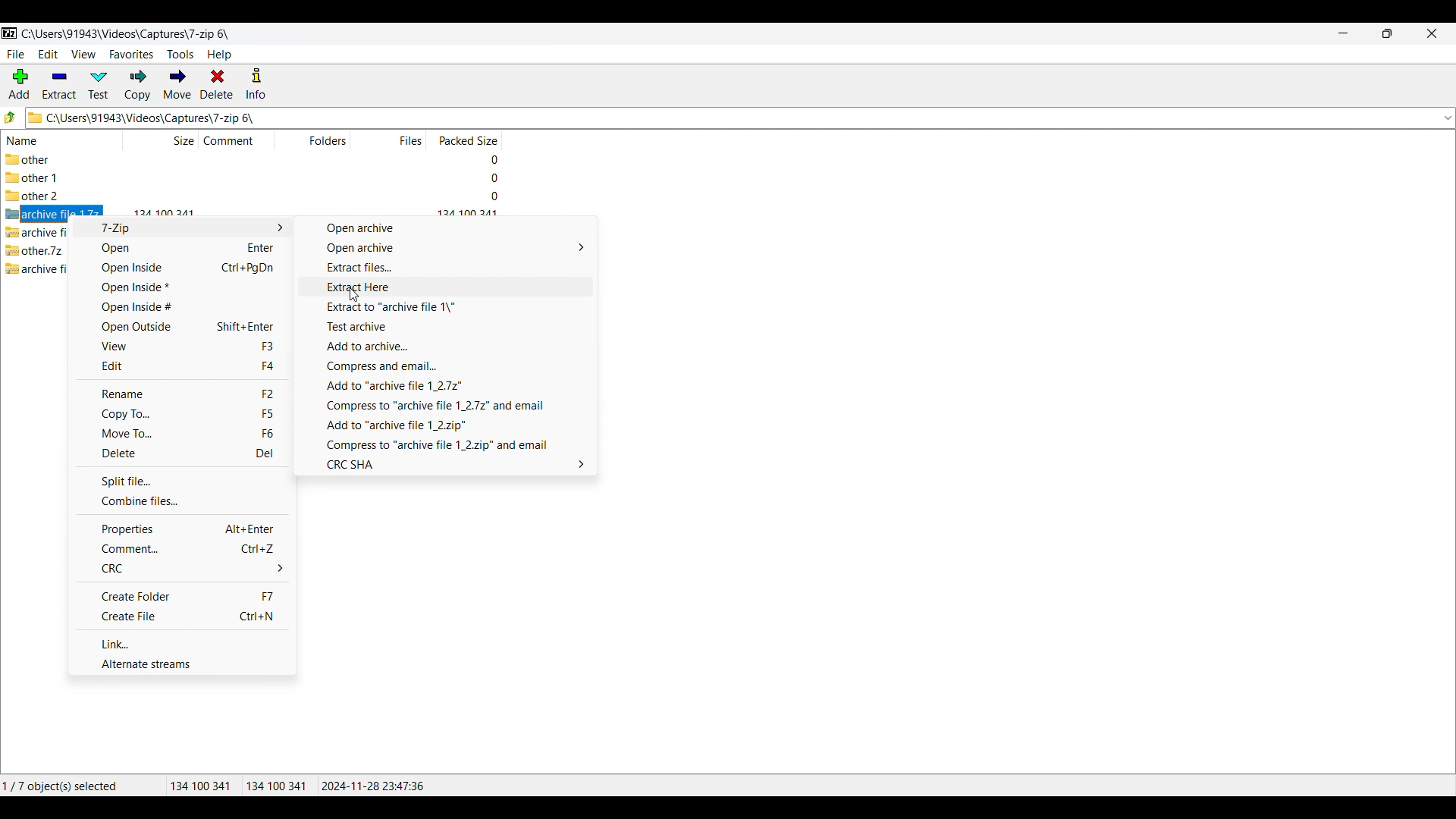  I want to click on Delete, so click(181, 453).